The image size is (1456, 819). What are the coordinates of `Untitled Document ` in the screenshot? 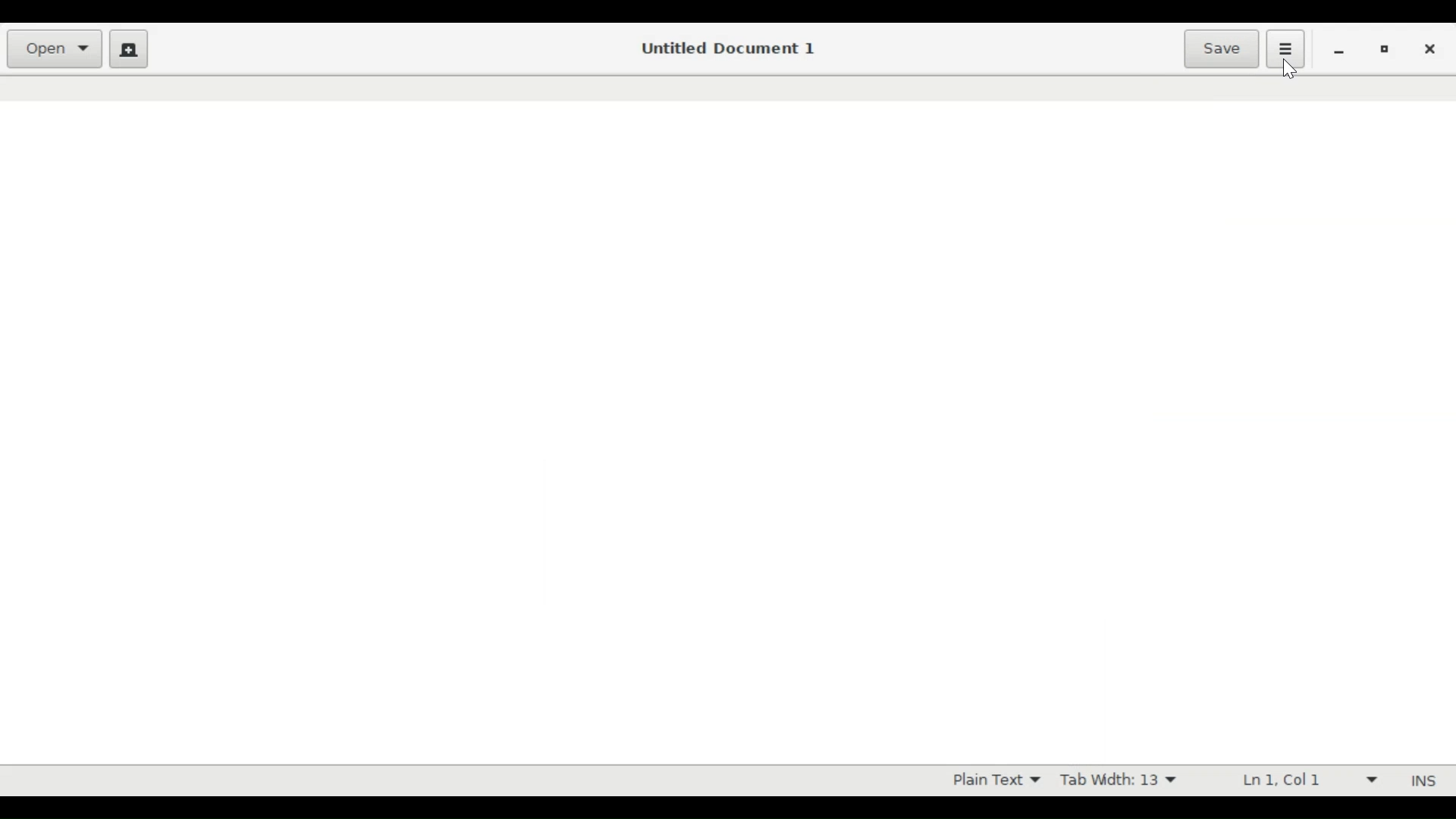 It's located at (735, 49).